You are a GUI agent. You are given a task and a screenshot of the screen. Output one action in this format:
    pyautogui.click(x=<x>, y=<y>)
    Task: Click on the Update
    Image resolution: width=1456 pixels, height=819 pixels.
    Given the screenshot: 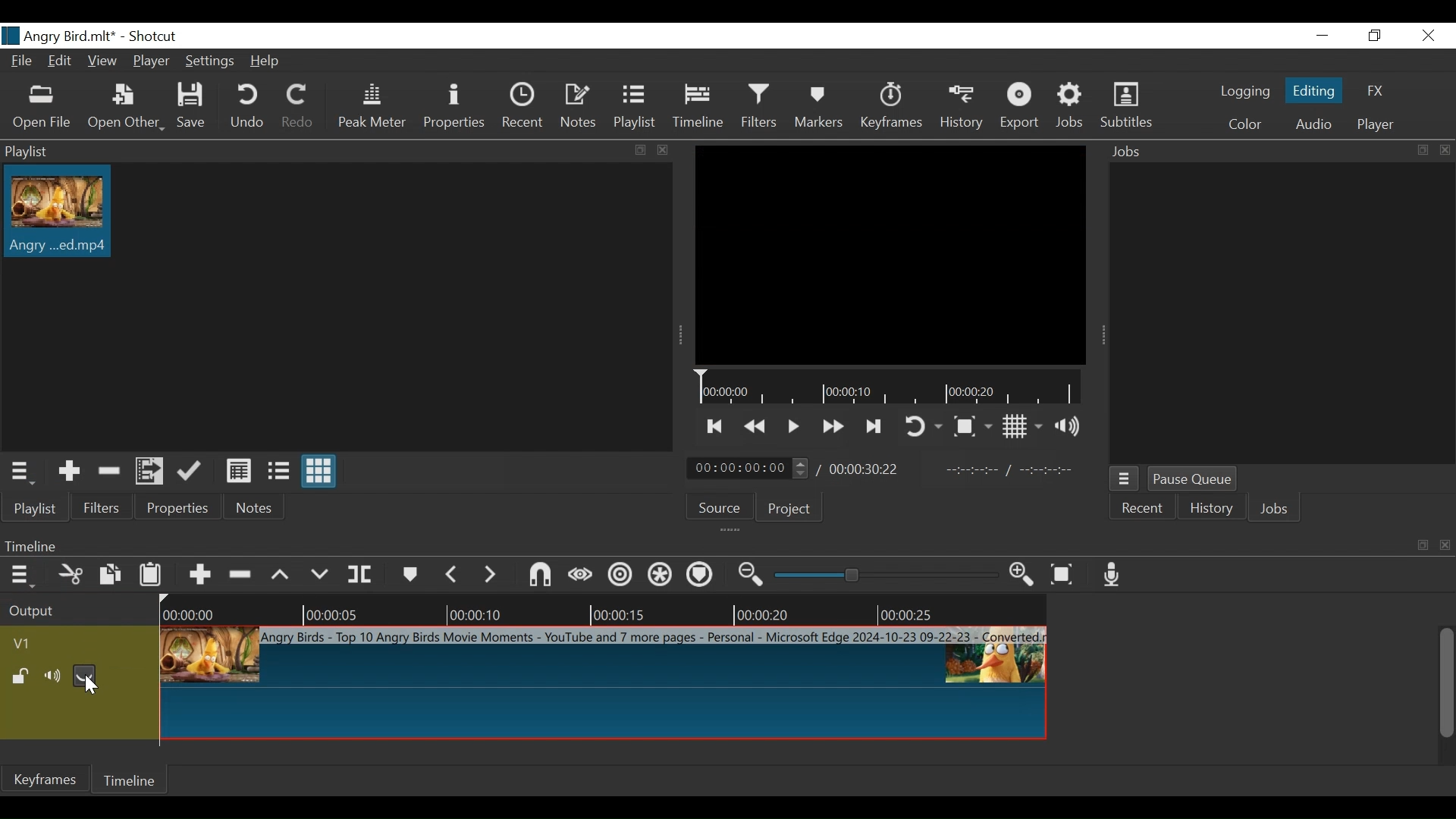 What is the action you would take?
    pyautogui.click(x=190, y=471)
    